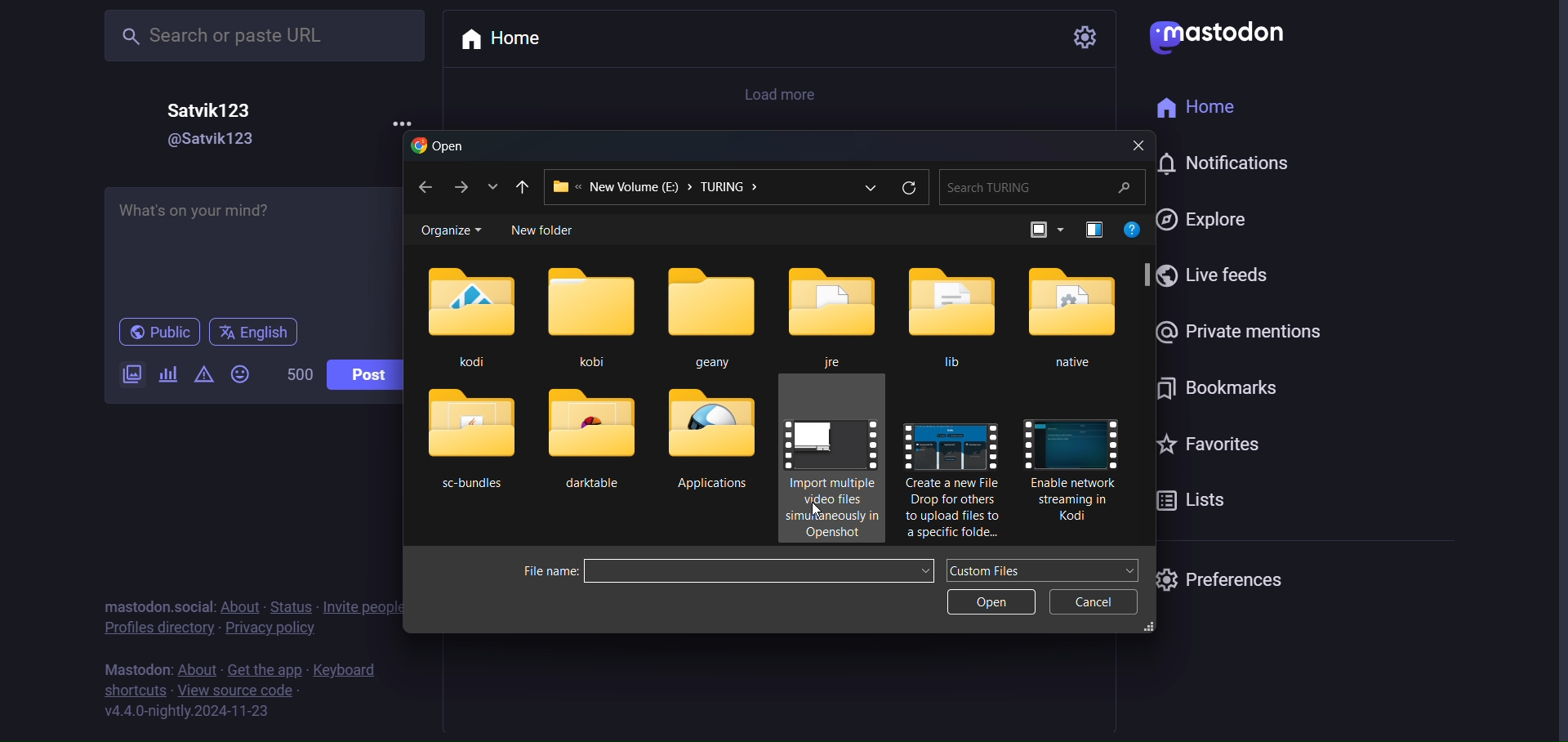 The height and width of the screenshot is (742, 1568). I want to click on Search TURING, so click(1040, 186).